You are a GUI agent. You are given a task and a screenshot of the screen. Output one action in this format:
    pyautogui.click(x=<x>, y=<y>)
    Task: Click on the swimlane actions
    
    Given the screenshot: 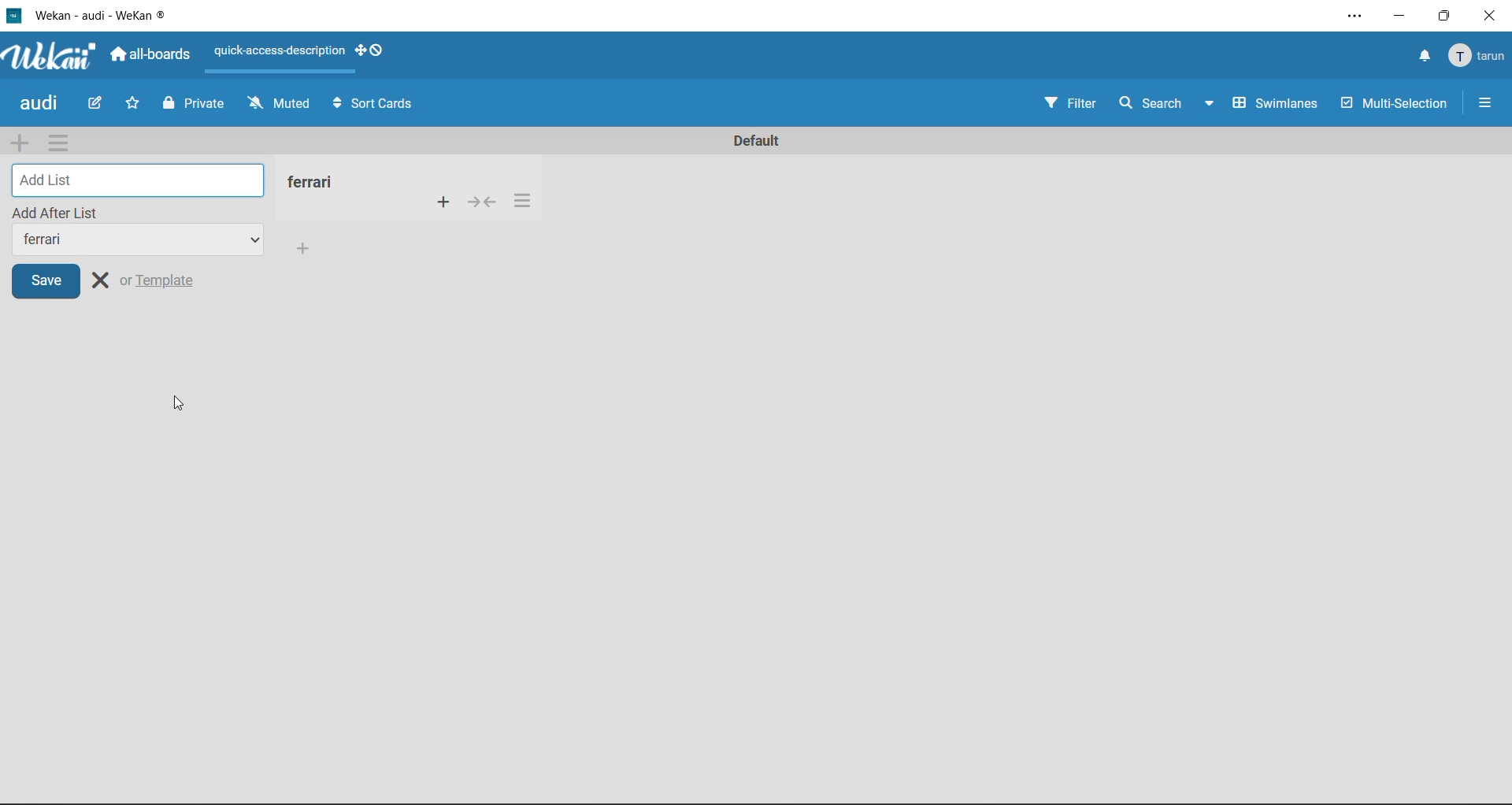 What is the action you would take?
    pyautogui.click(x=59, y=144)
    